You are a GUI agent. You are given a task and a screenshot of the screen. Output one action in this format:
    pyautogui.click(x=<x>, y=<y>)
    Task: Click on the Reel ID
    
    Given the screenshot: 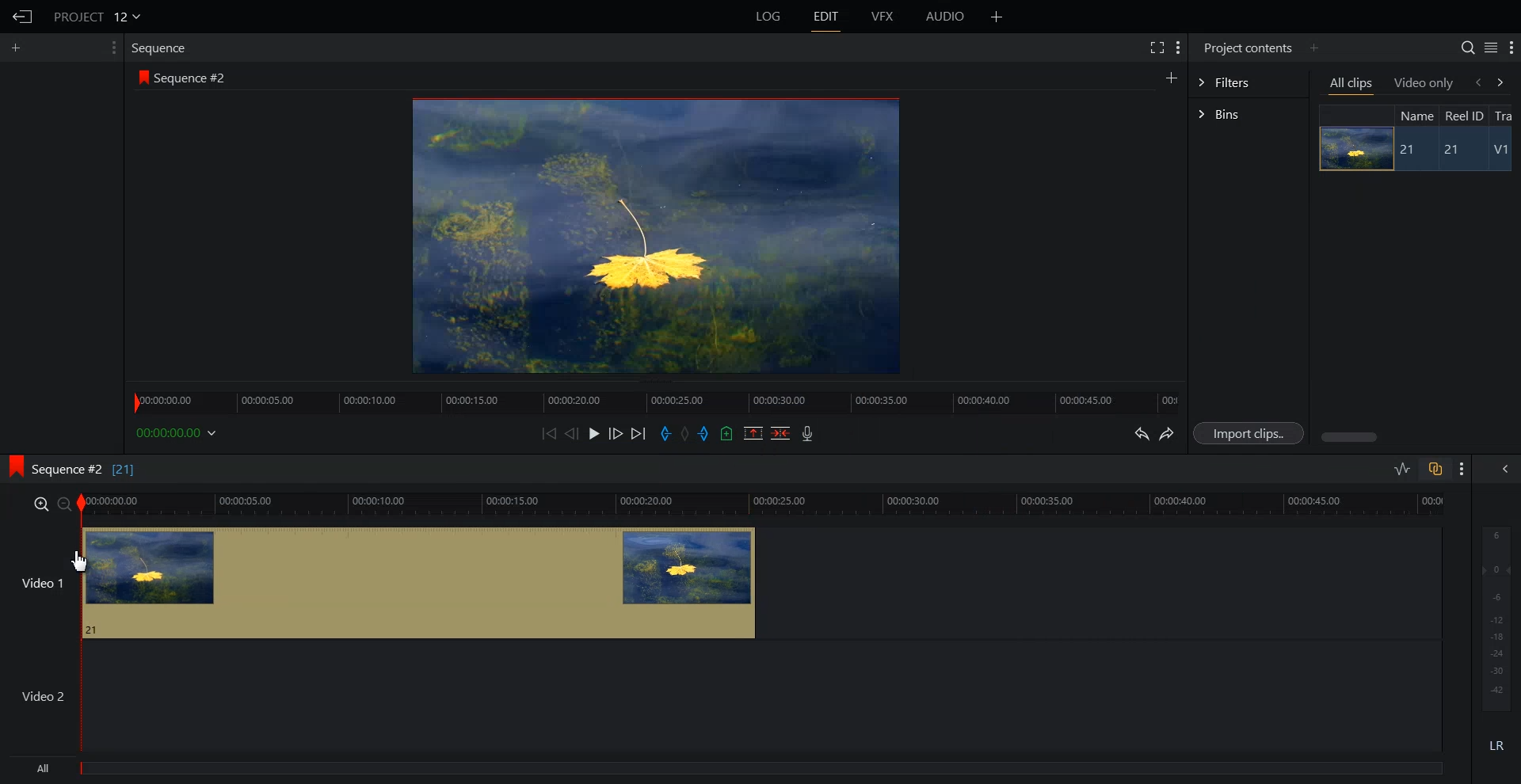 What is the action you would take?
    pyautogui.click(x=1463, y=116)
    